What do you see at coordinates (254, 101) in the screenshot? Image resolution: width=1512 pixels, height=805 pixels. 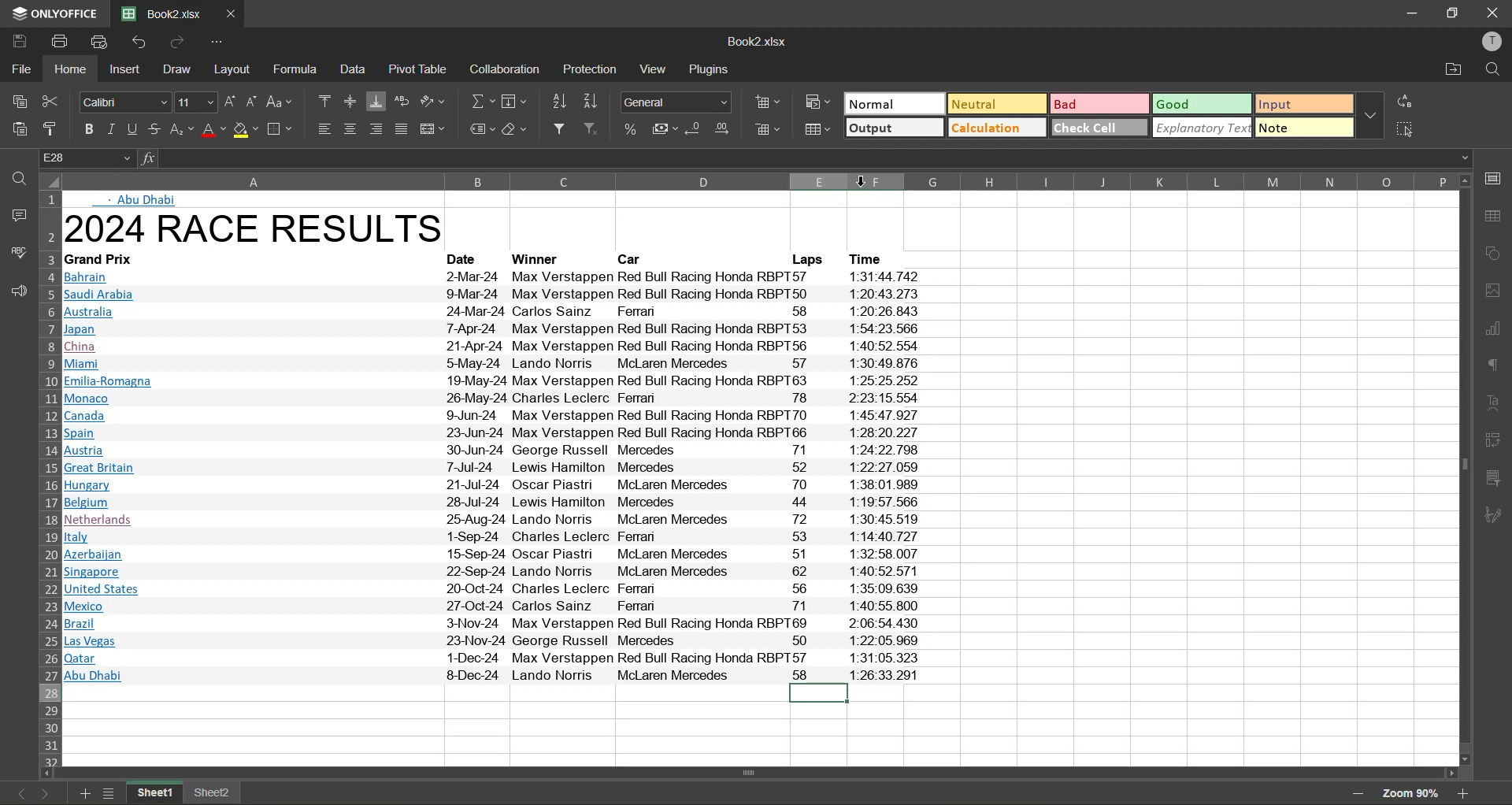 I see `decrement size` at bounding box center [254, 101].